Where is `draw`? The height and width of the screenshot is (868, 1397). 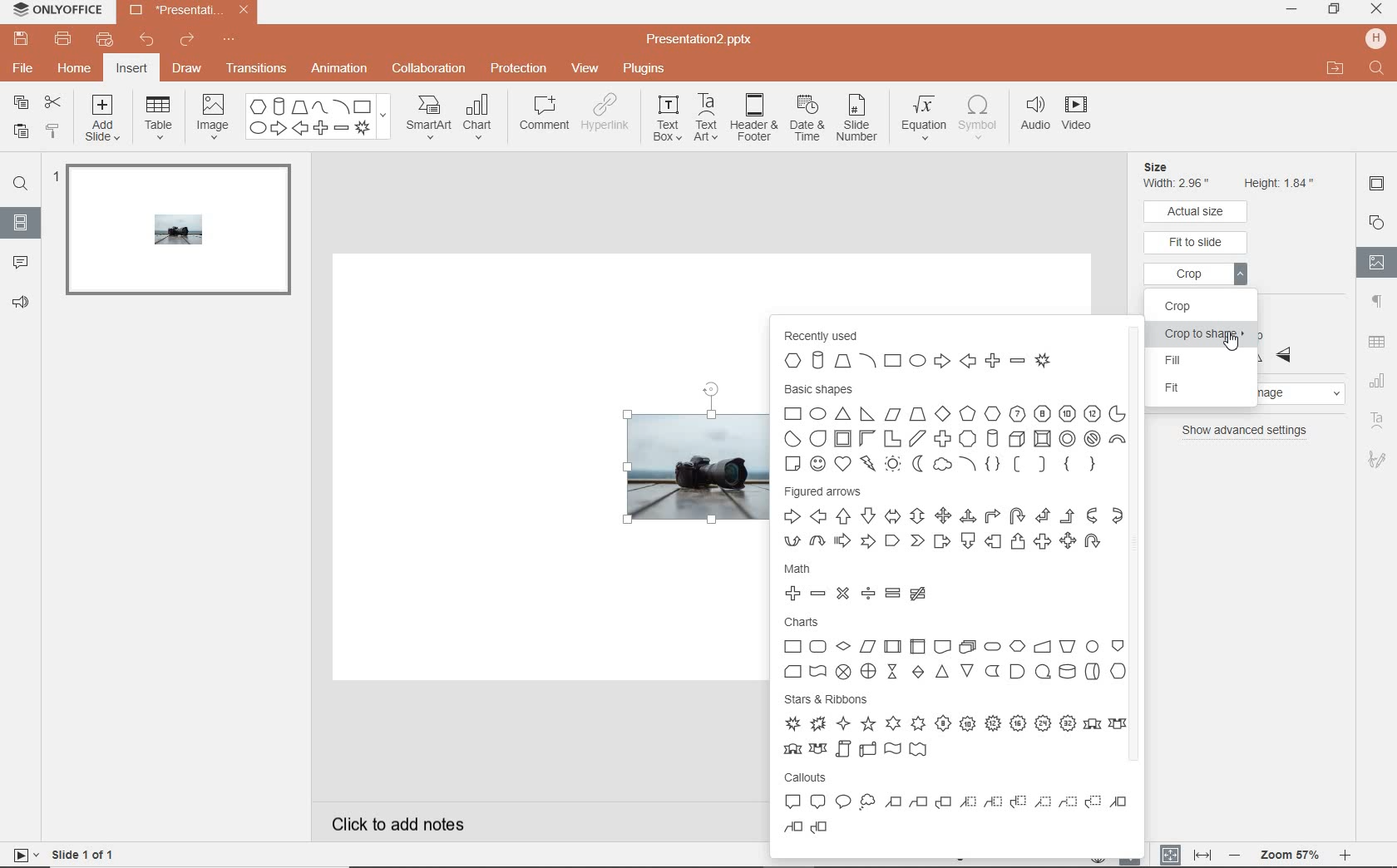
draw is located at coordinates (188, 70).